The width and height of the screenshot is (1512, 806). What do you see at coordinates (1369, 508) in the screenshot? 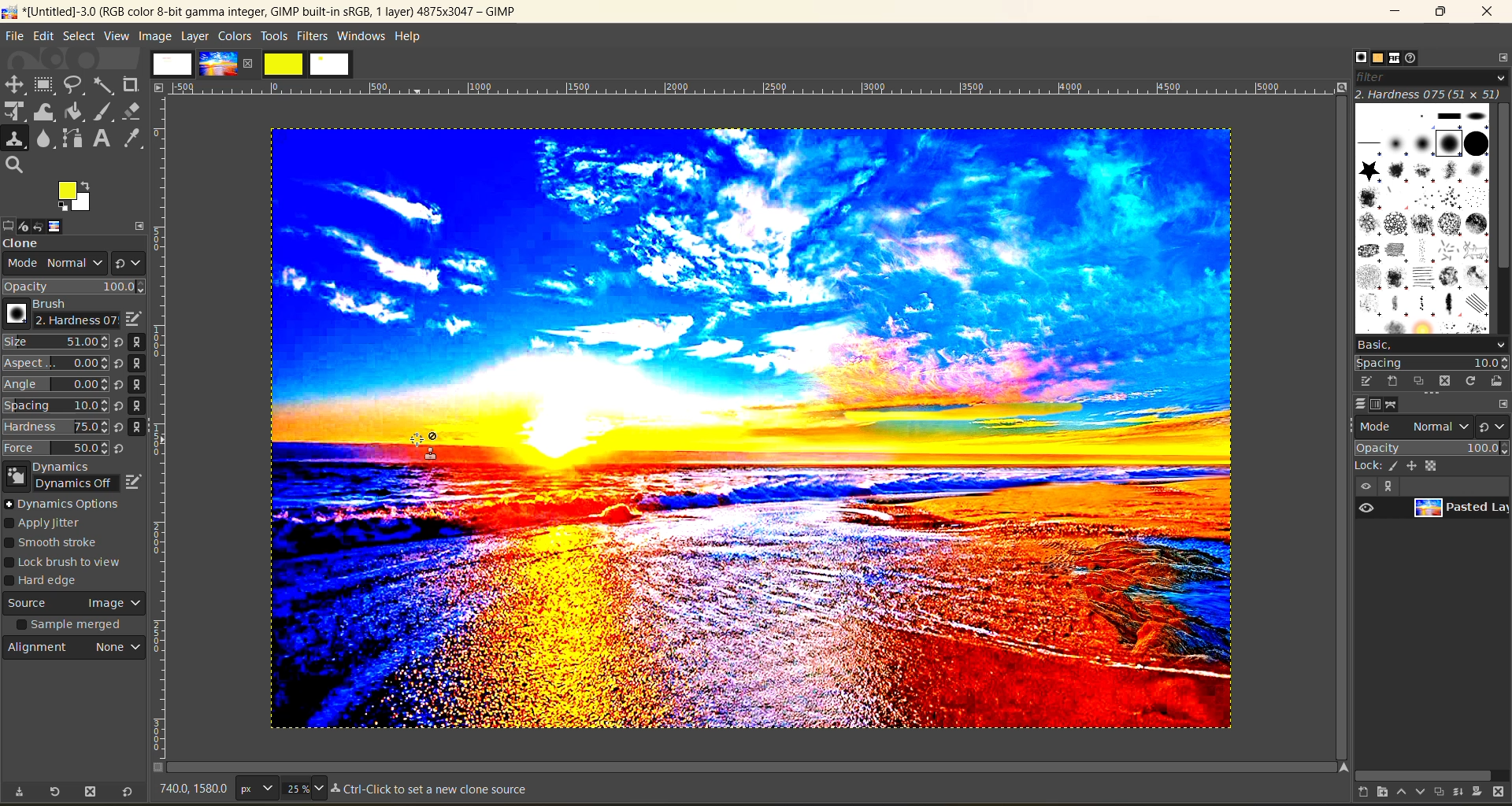
I see `preview` at bounding box center [1369, 508].